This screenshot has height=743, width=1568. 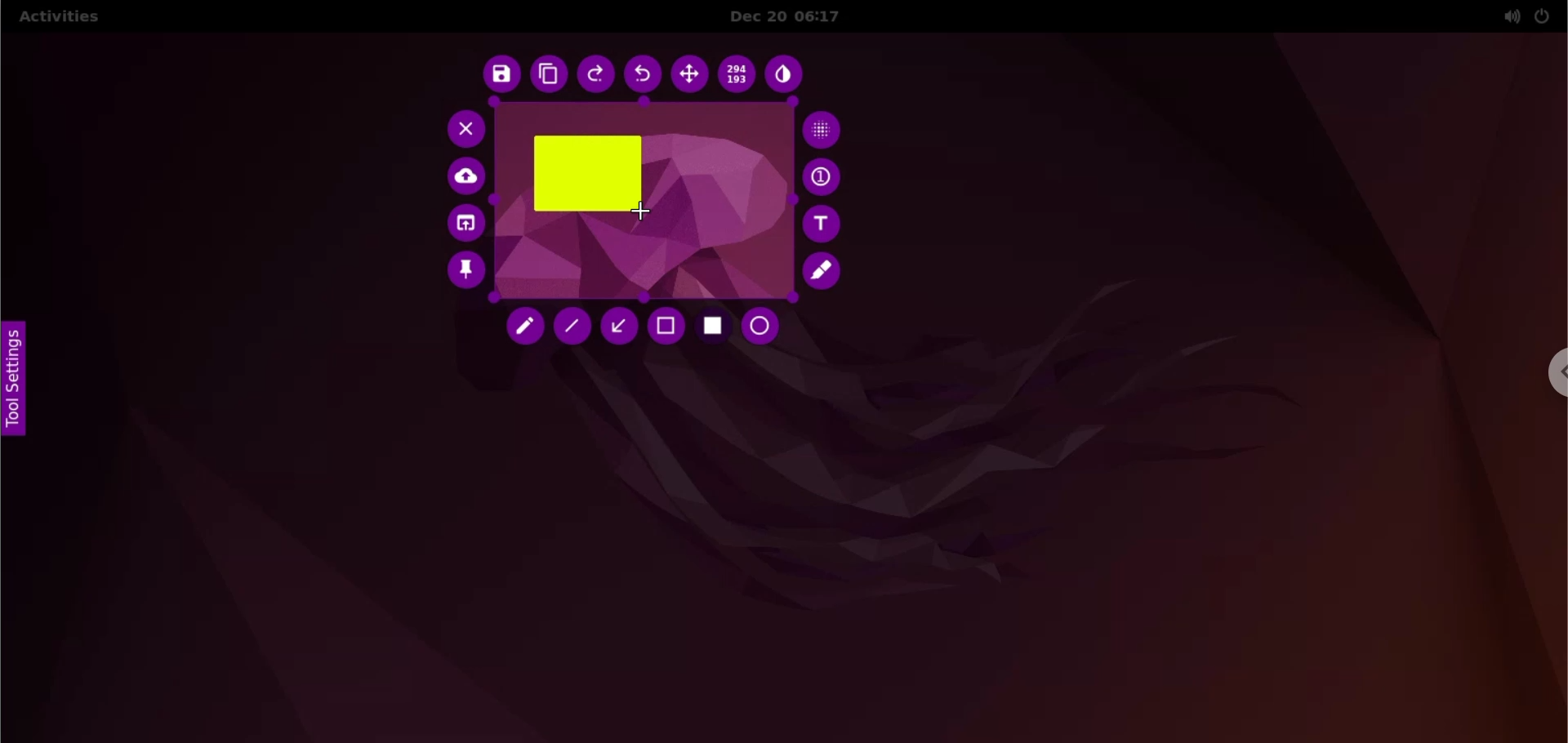 What do you see at coordinates (1508, 16) in the screenshot?
I see `sound options` at bounding box center [1508, 16].